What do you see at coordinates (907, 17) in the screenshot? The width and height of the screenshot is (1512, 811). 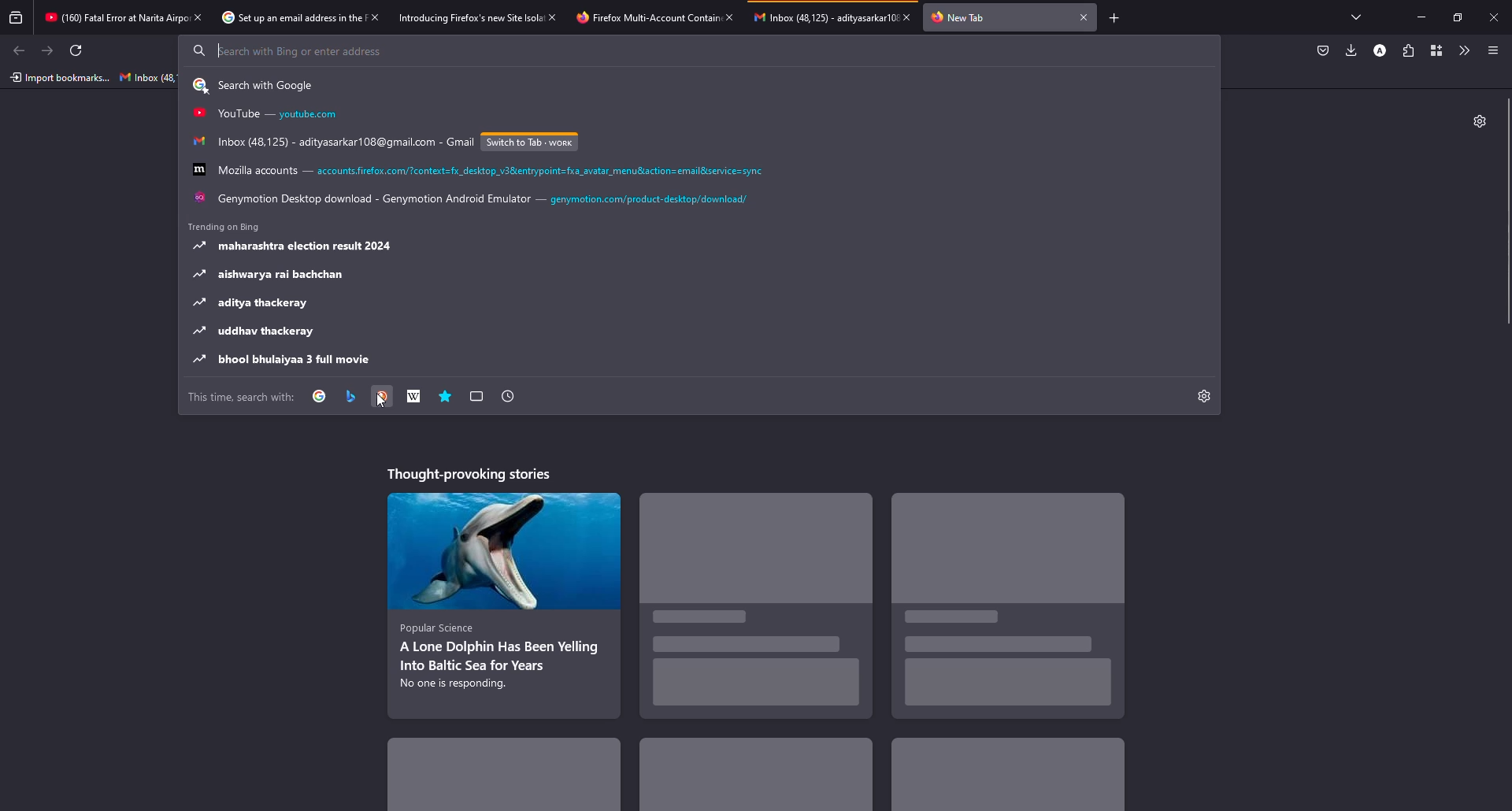 I see `close` at bounding box center [907, 17].